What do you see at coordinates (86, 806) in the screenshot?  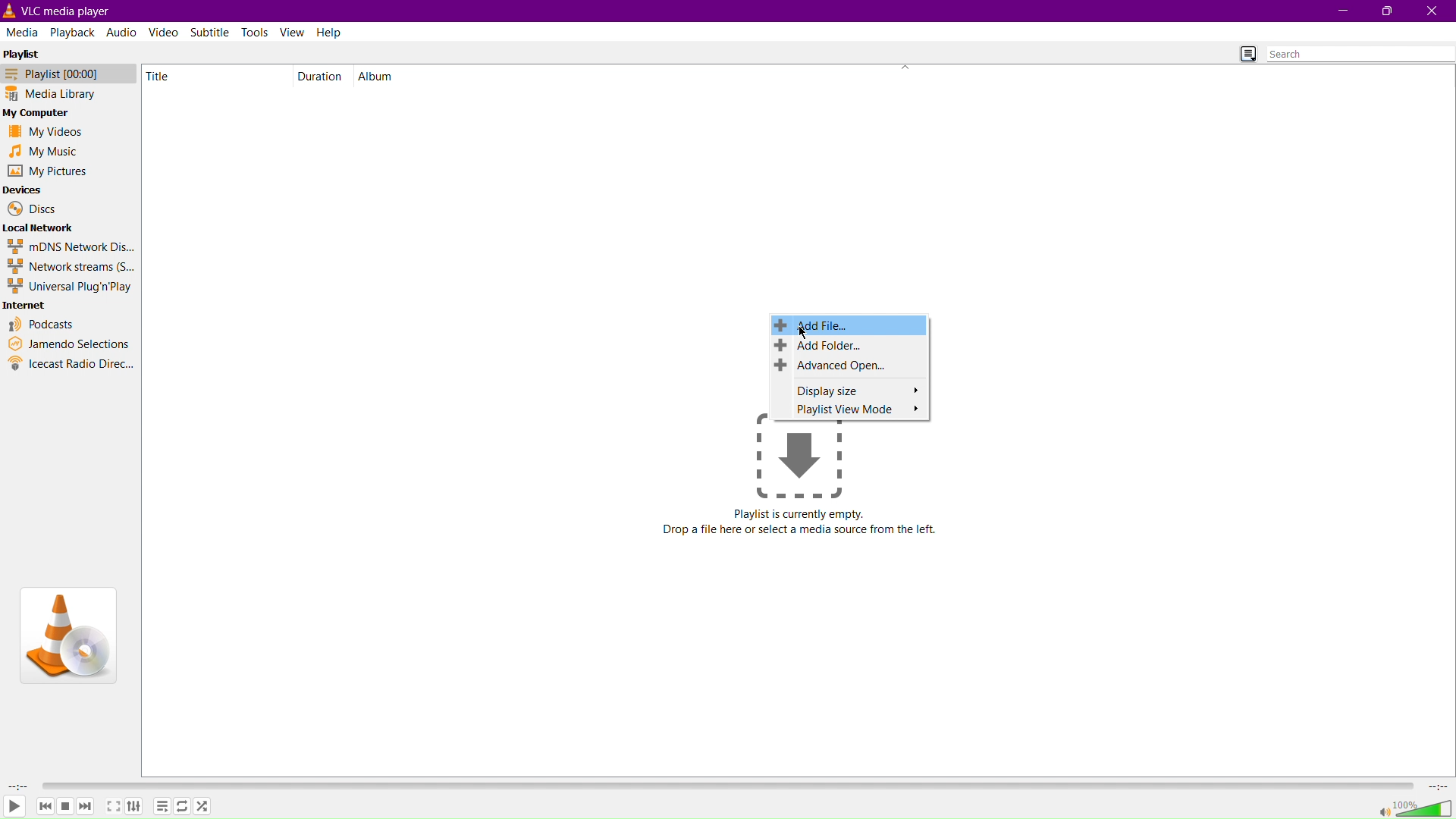 I see `Skip Forward` at bounding box center [86, 806].